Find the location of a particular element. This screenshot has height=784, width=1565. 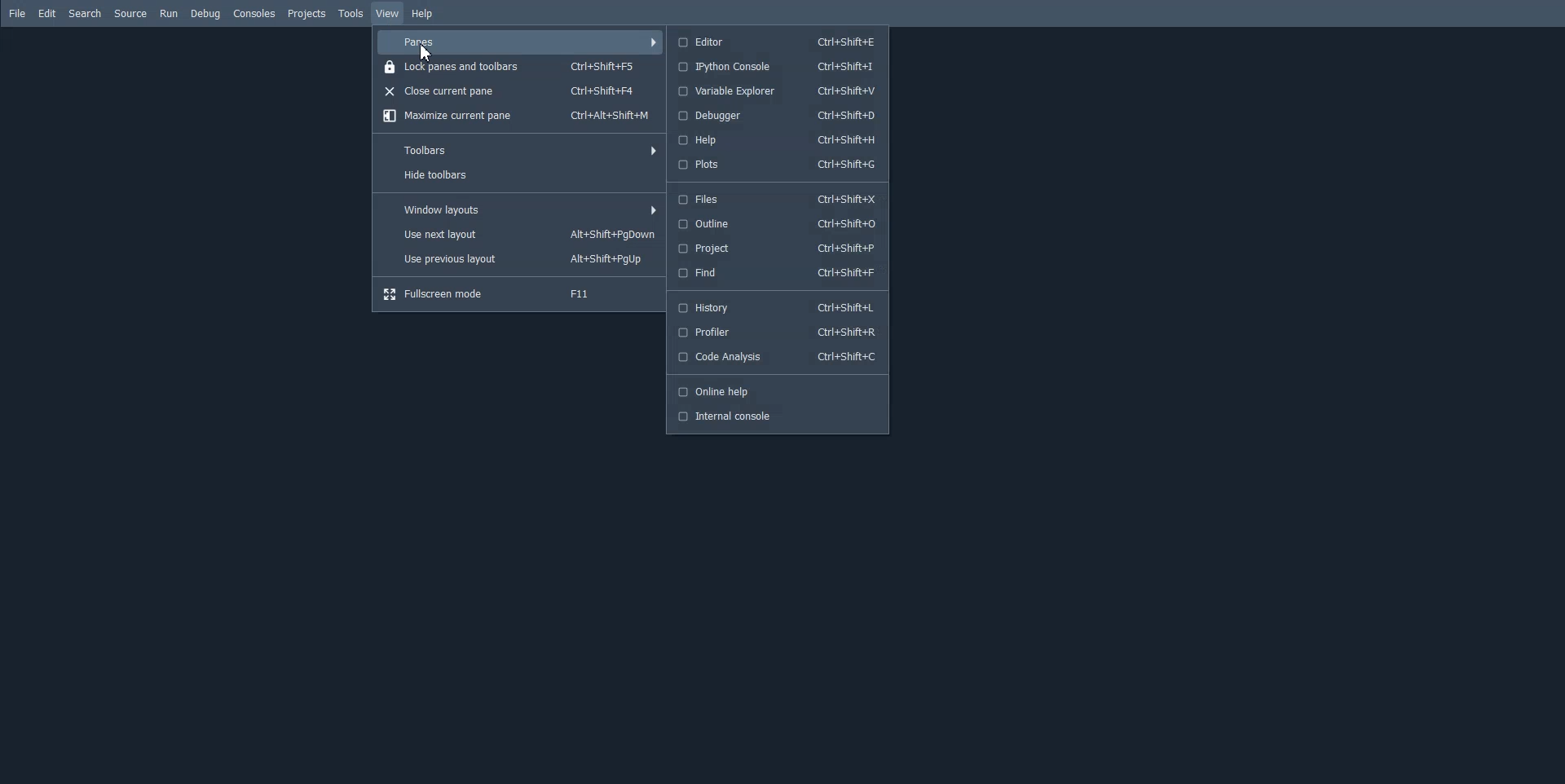

code Analysis is located at coordinates (778, 357).